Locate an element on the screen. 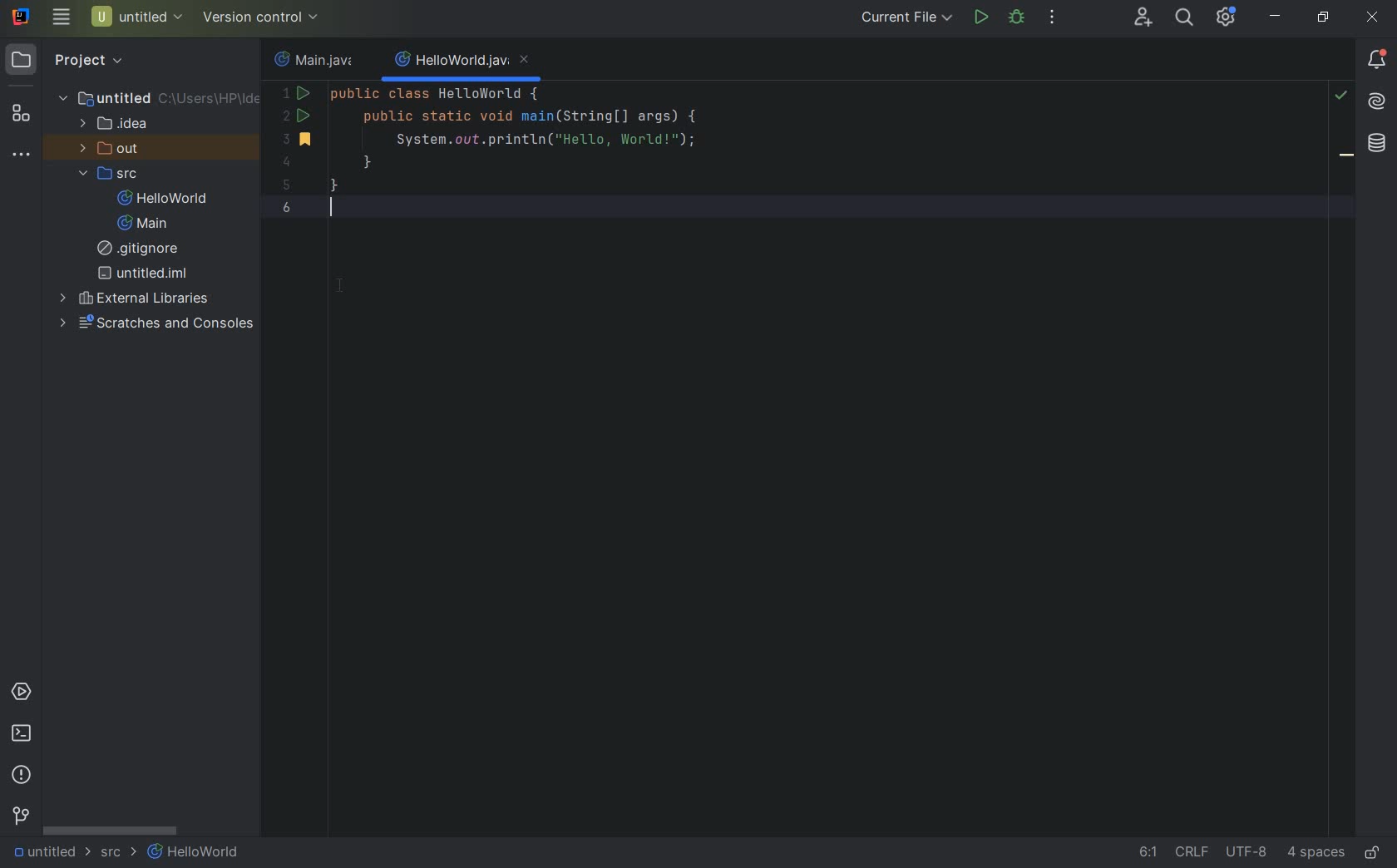 This screenshot has height=868, width=1397. untitled is located at coordinates (43, 853).